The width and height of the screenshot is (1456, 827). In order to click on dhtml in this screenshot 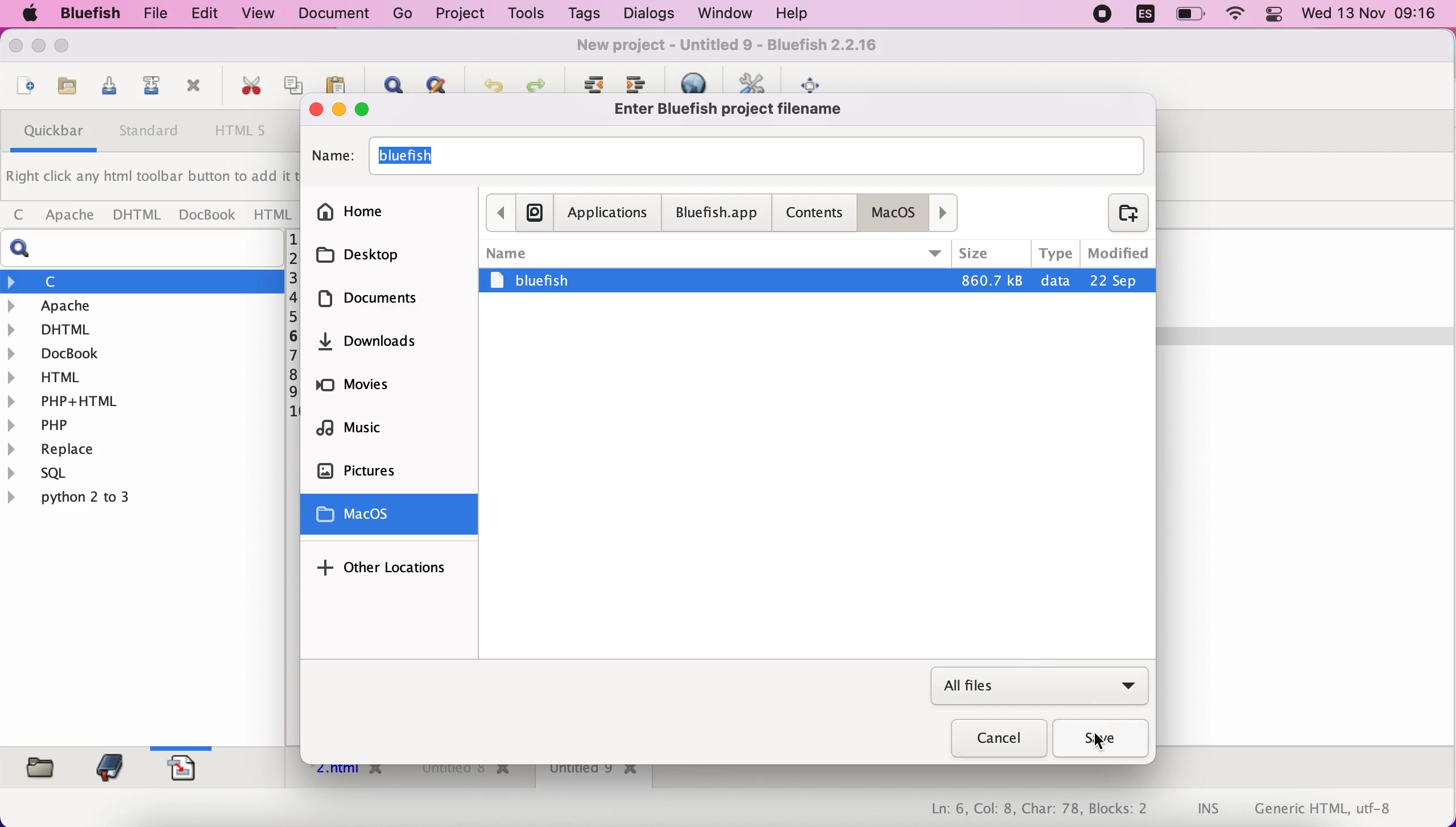, I will do `click(143, 328)`.